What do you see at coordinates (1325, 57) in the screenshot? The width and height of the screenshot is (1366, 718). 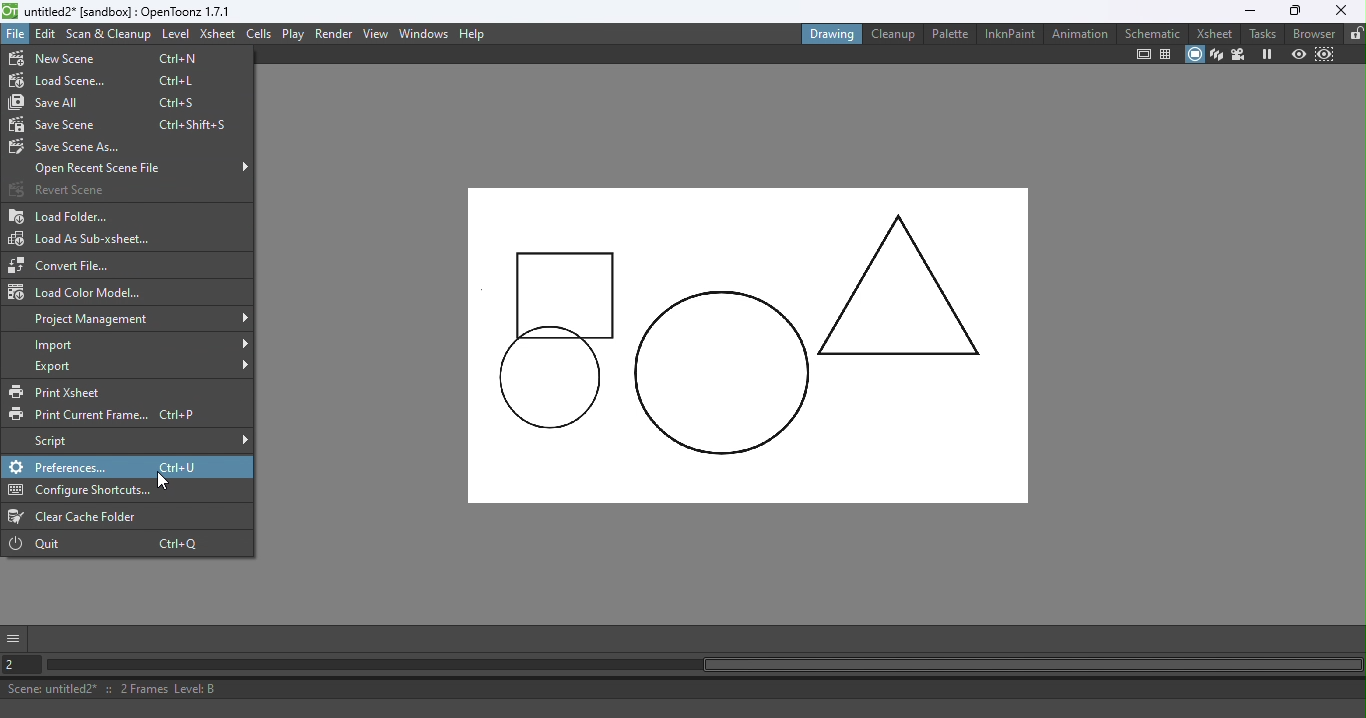 I see `Sub-camera preview` at bounding box center [1325, 57].